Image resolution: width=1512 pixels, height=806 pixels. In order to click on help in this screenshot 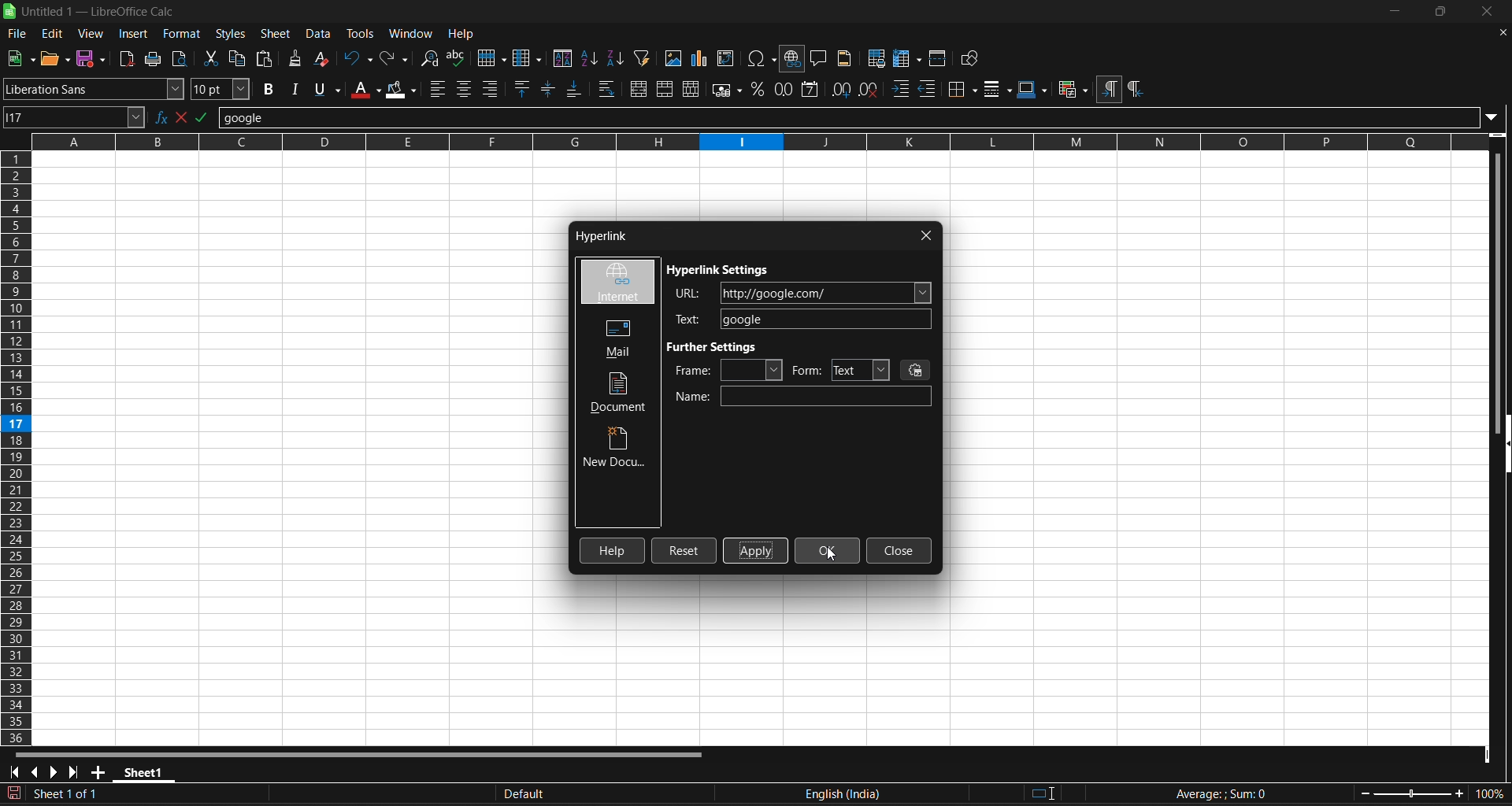, I will do `click(613, 550)`.